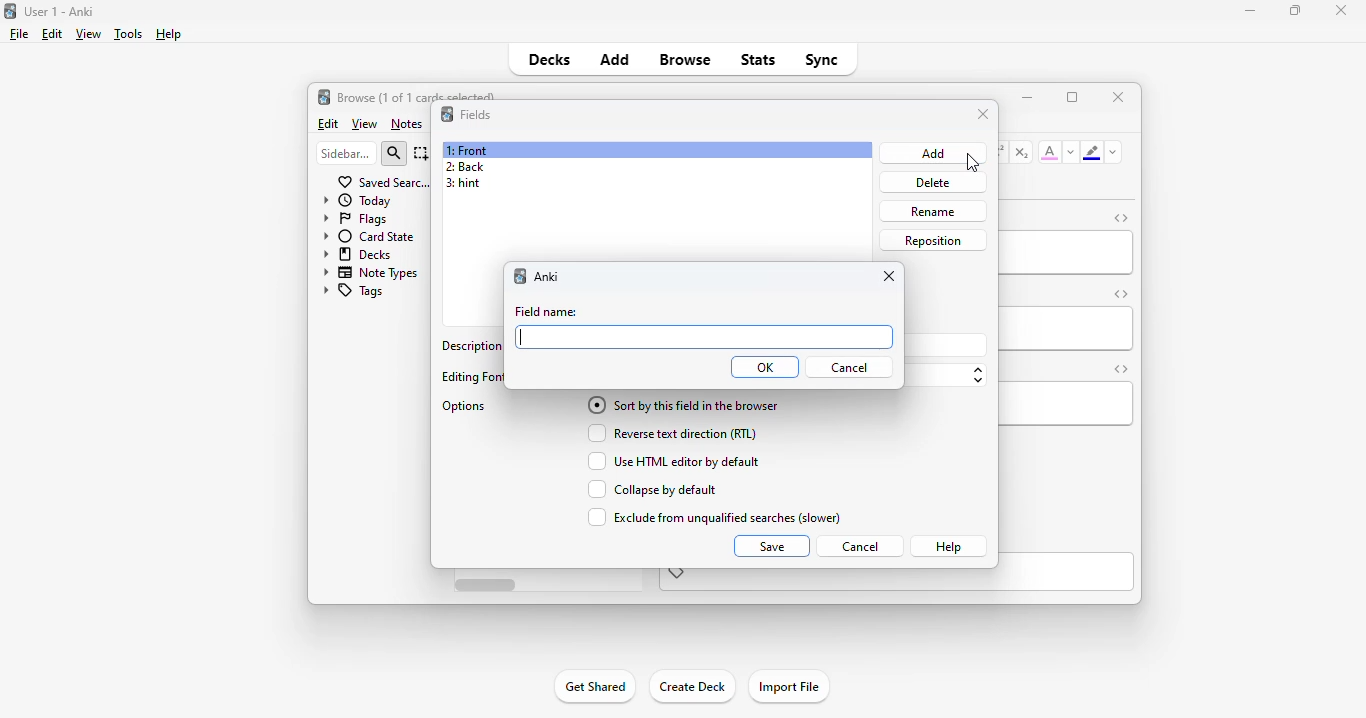 This screenshot has width=1366, height=718. Describe the element at coordinates (984, 114) in the screenshot. I see `close` at that location.